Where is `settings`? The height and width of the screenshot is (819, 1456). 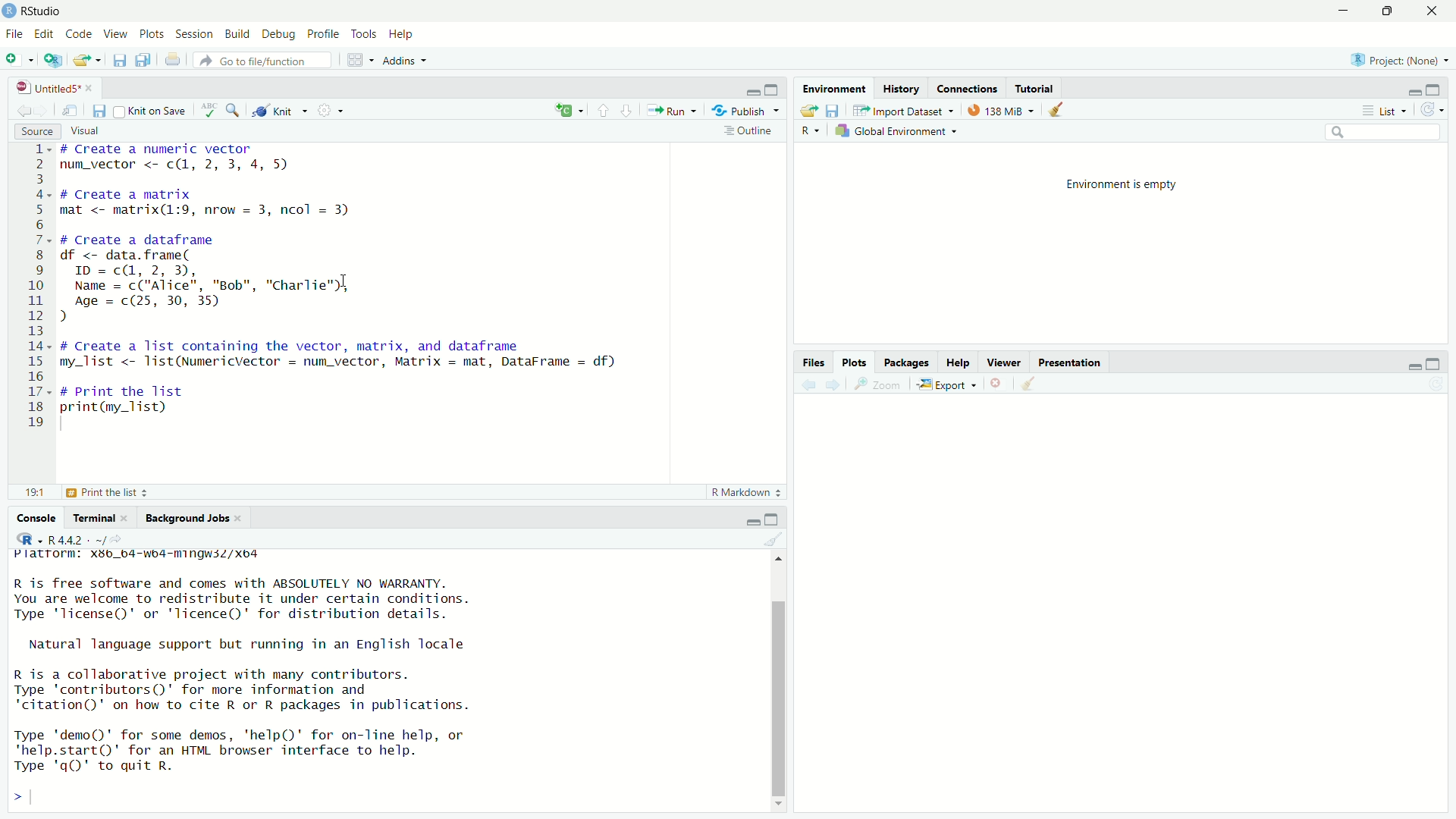
settings is located at coordinates (333, 112).